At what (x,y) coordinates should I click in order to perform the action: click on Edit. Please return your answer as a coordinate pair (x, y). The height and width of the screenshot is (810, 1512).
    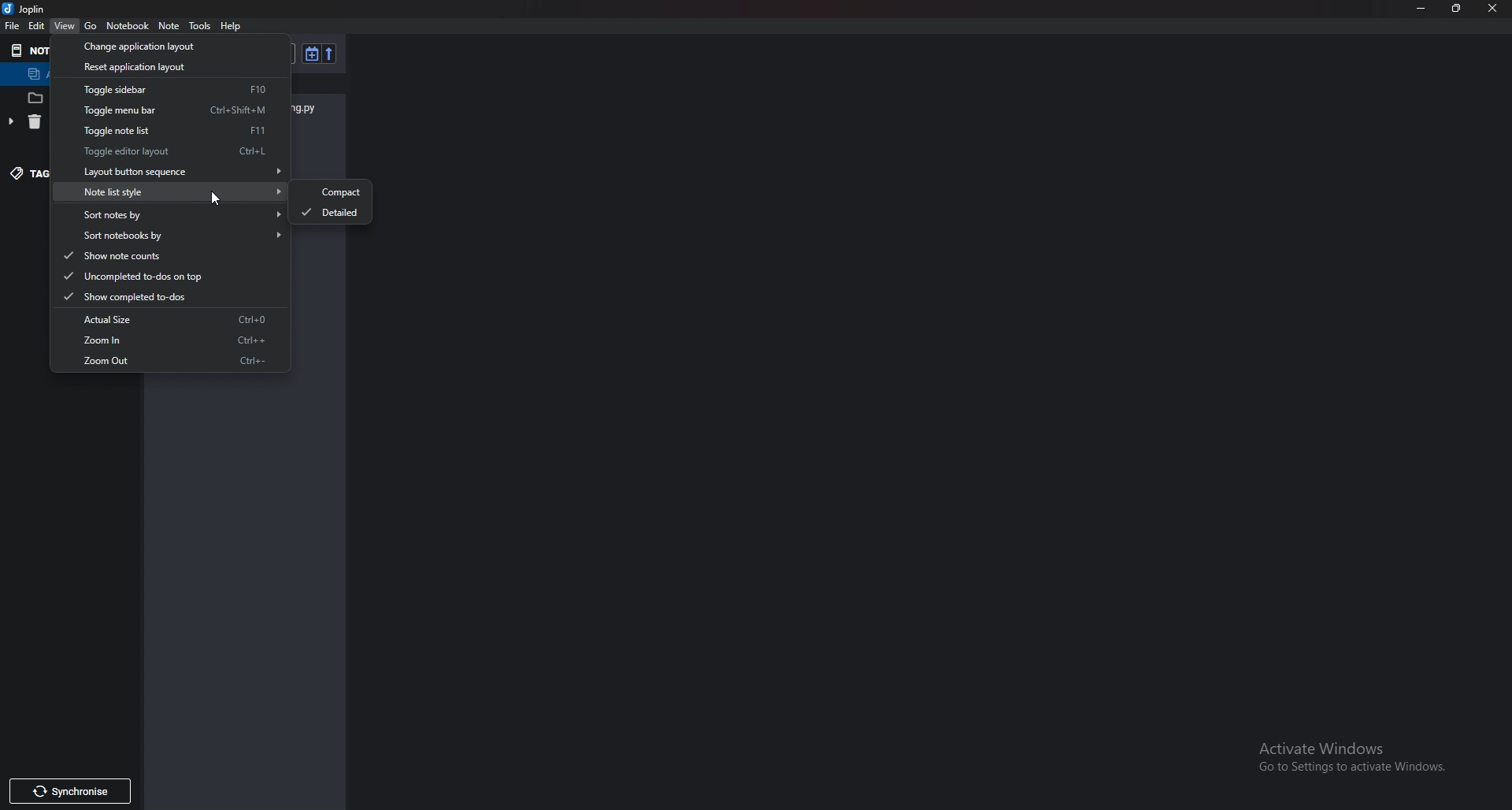
    Looking at the image, I should click on (37, 26).